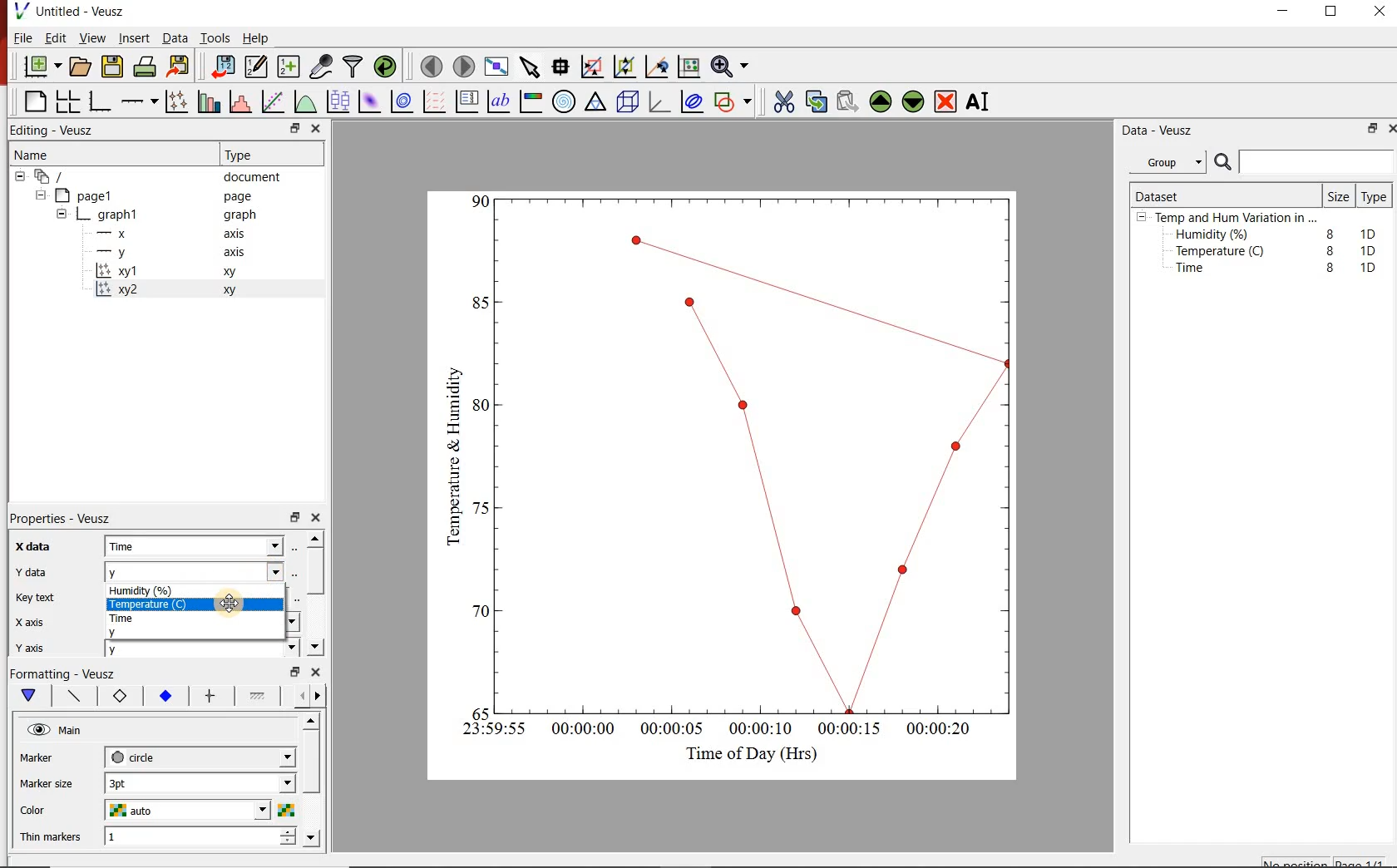 The height and width of the screenshot is (868, 1397). What do you see at coordinates (292, 599) in the screenshot?
I see `edit text` at bounding box center [292, 599].